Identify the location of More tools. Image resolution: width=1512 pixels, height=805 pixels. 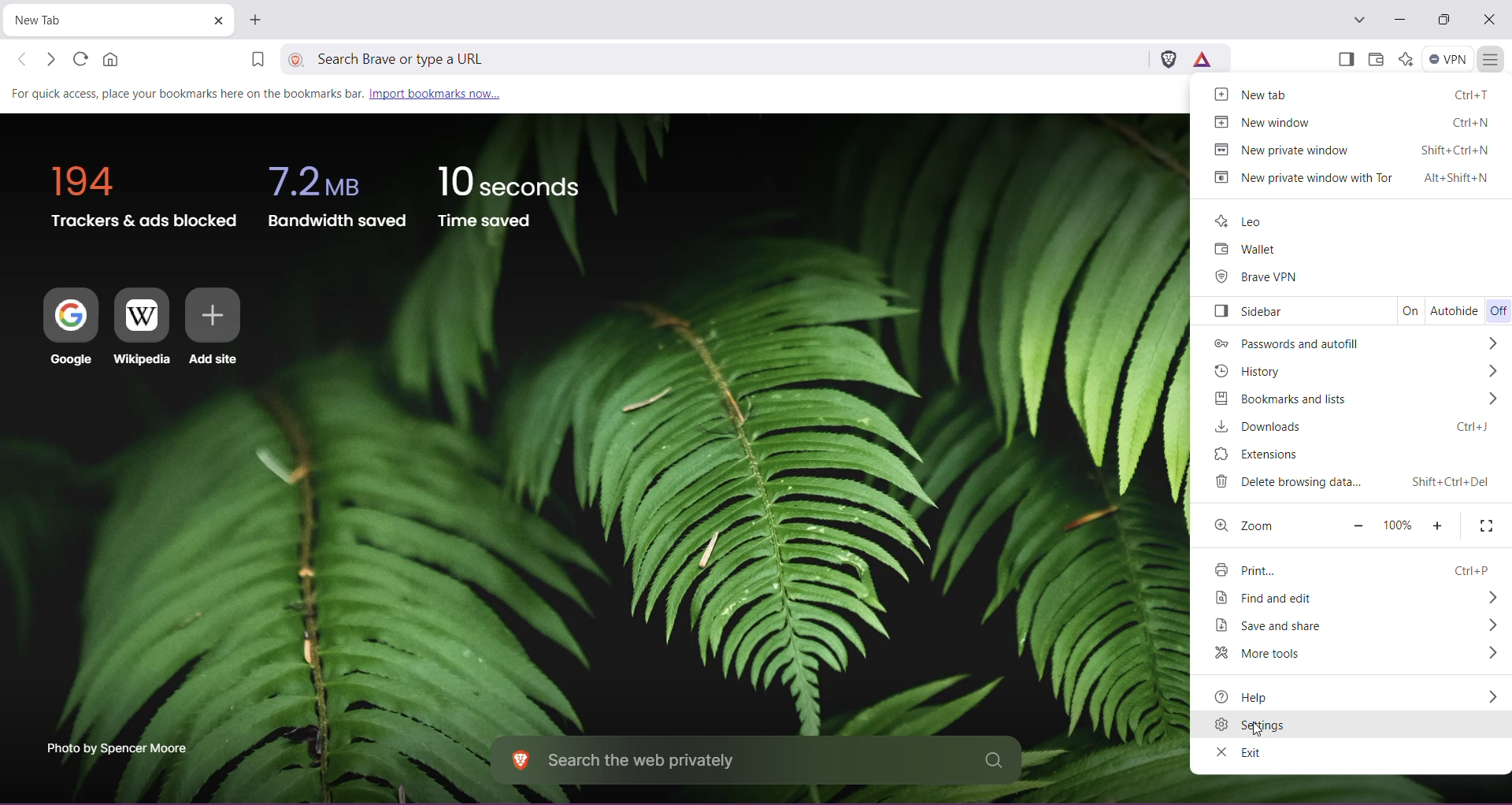
(1272, 655).